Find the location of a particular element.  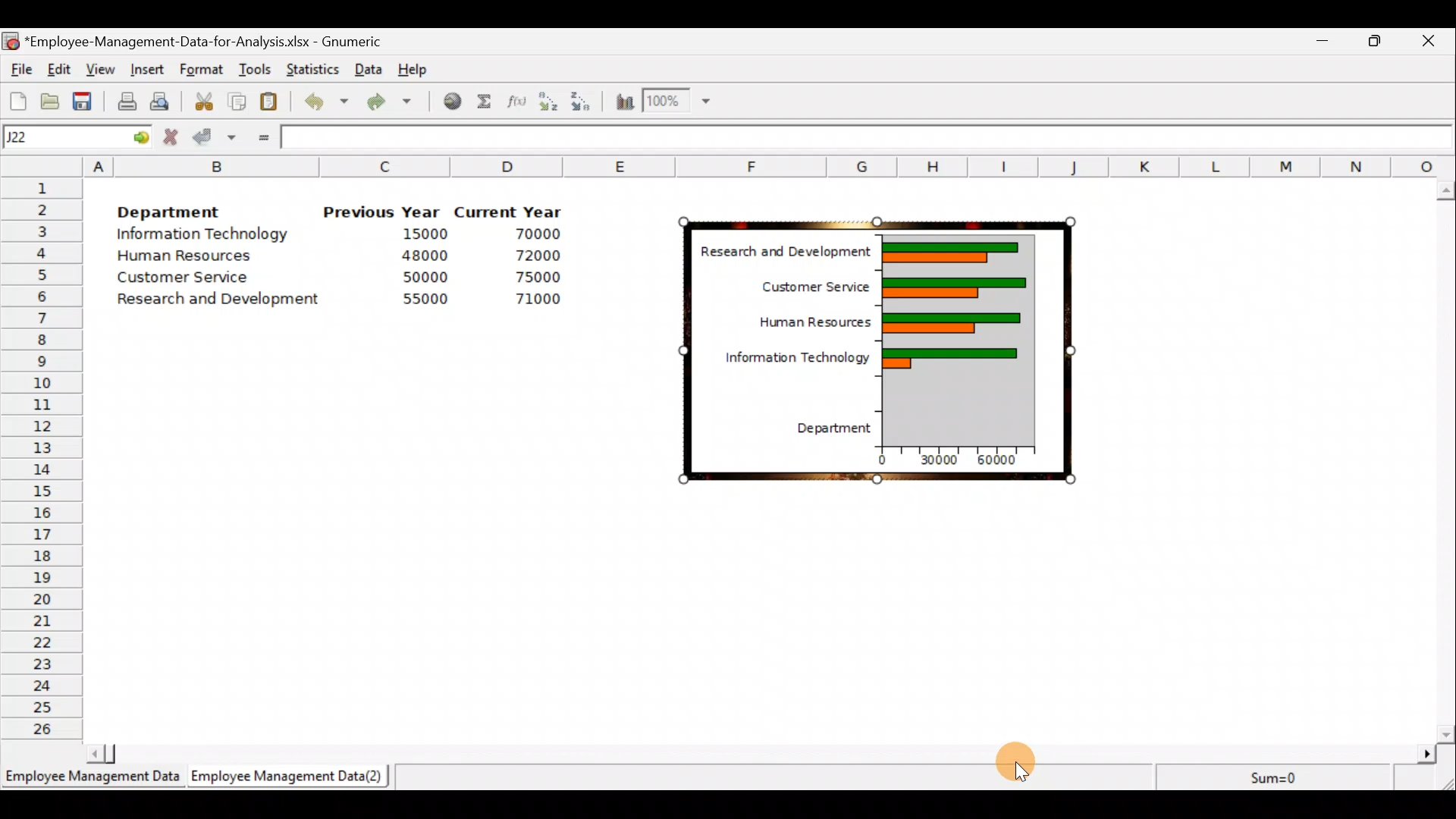

Edit a function in the current cell is located at coordinates (518, 102).